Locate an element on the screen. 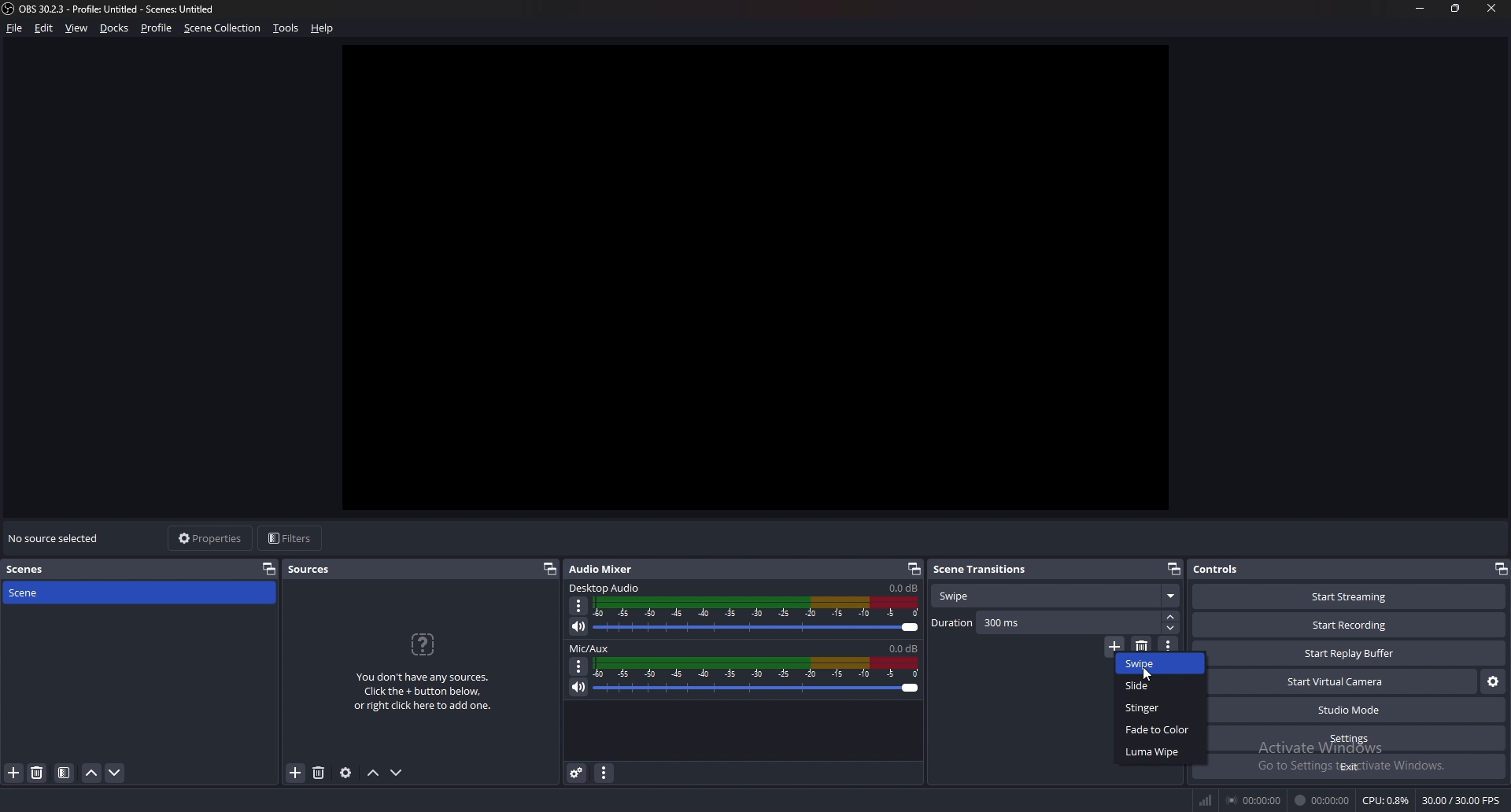 The height and width of the screenshot is (812, 1511). remove transition is located at coordinates (1143, 644).